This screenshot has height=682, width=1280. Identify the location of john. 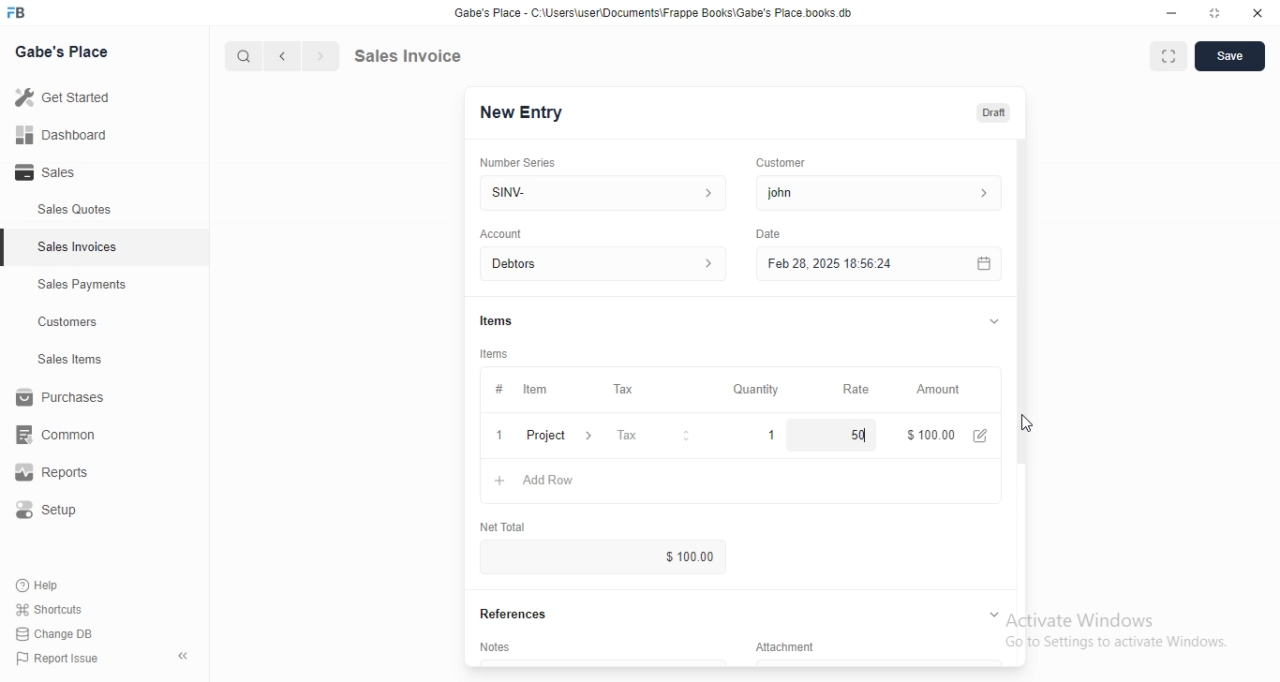
(876, 193).